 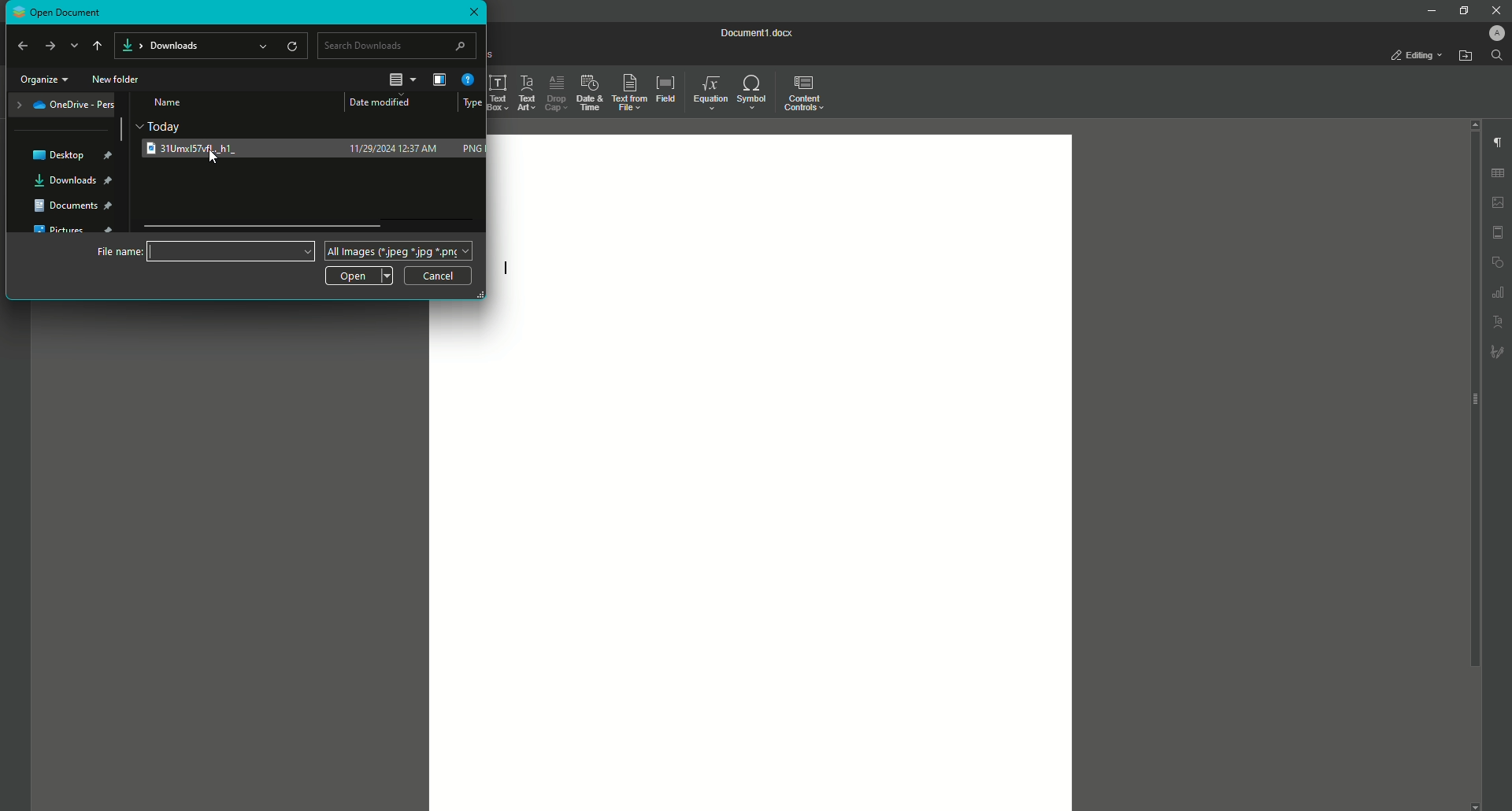 I want to click on Scrollbar, so click(x=265, y=224).